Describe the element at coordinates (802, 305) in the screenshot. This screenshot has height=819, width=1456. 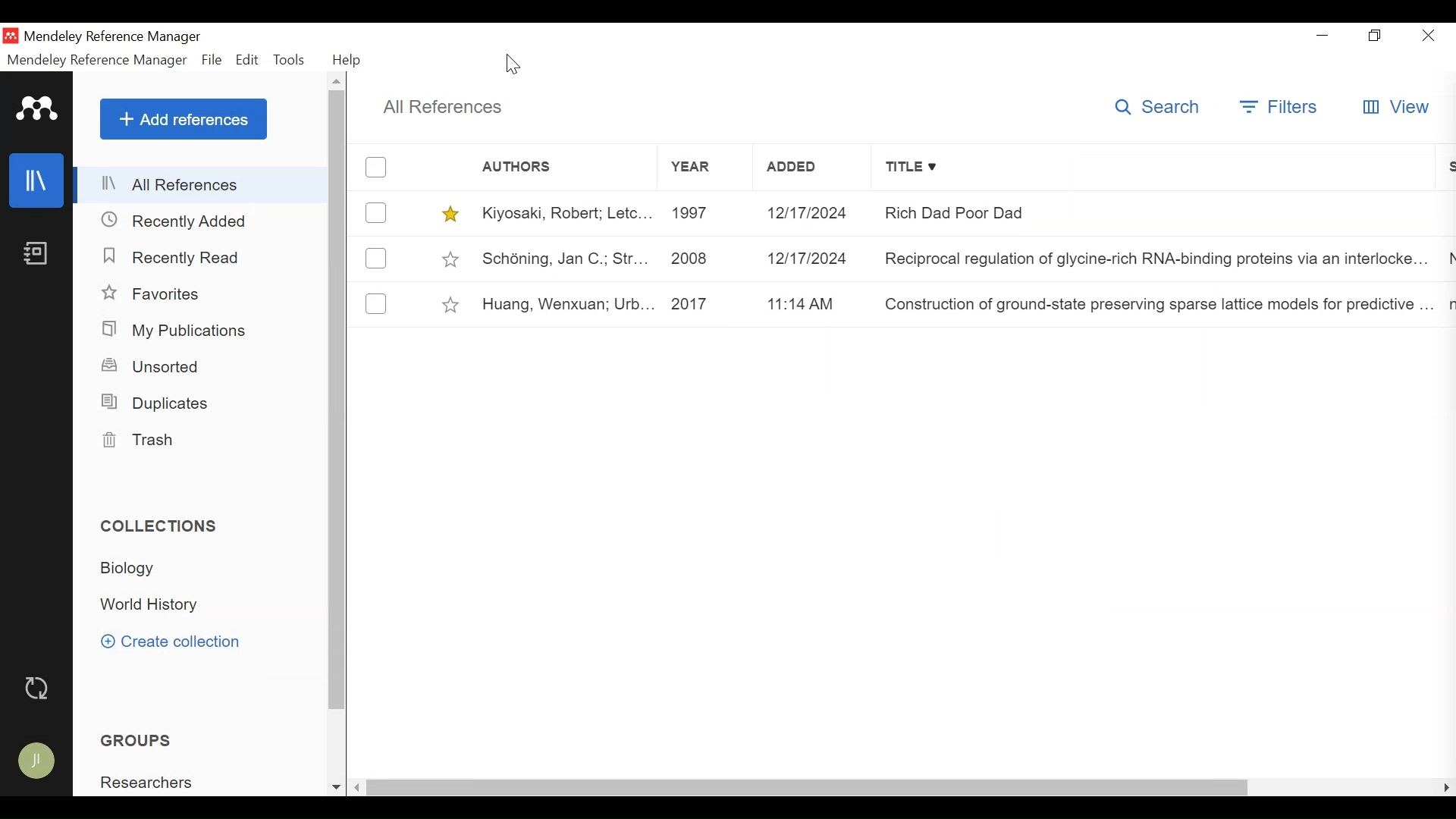
I see `11:14 AM` at that location.